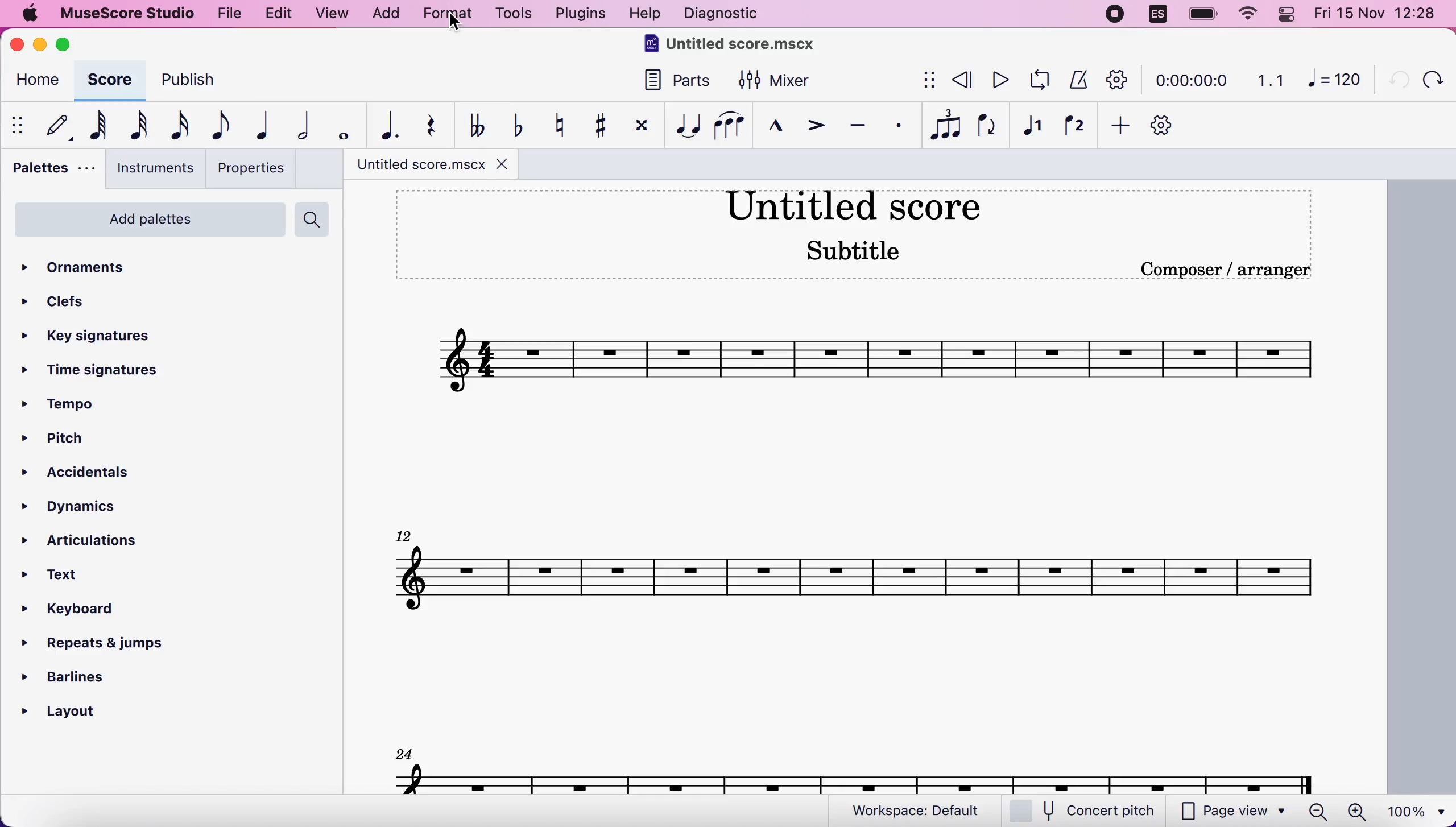  What do you see at coordinates (250, 168) in the screenshot?
I see `properties` at bounding box center [250, 168].